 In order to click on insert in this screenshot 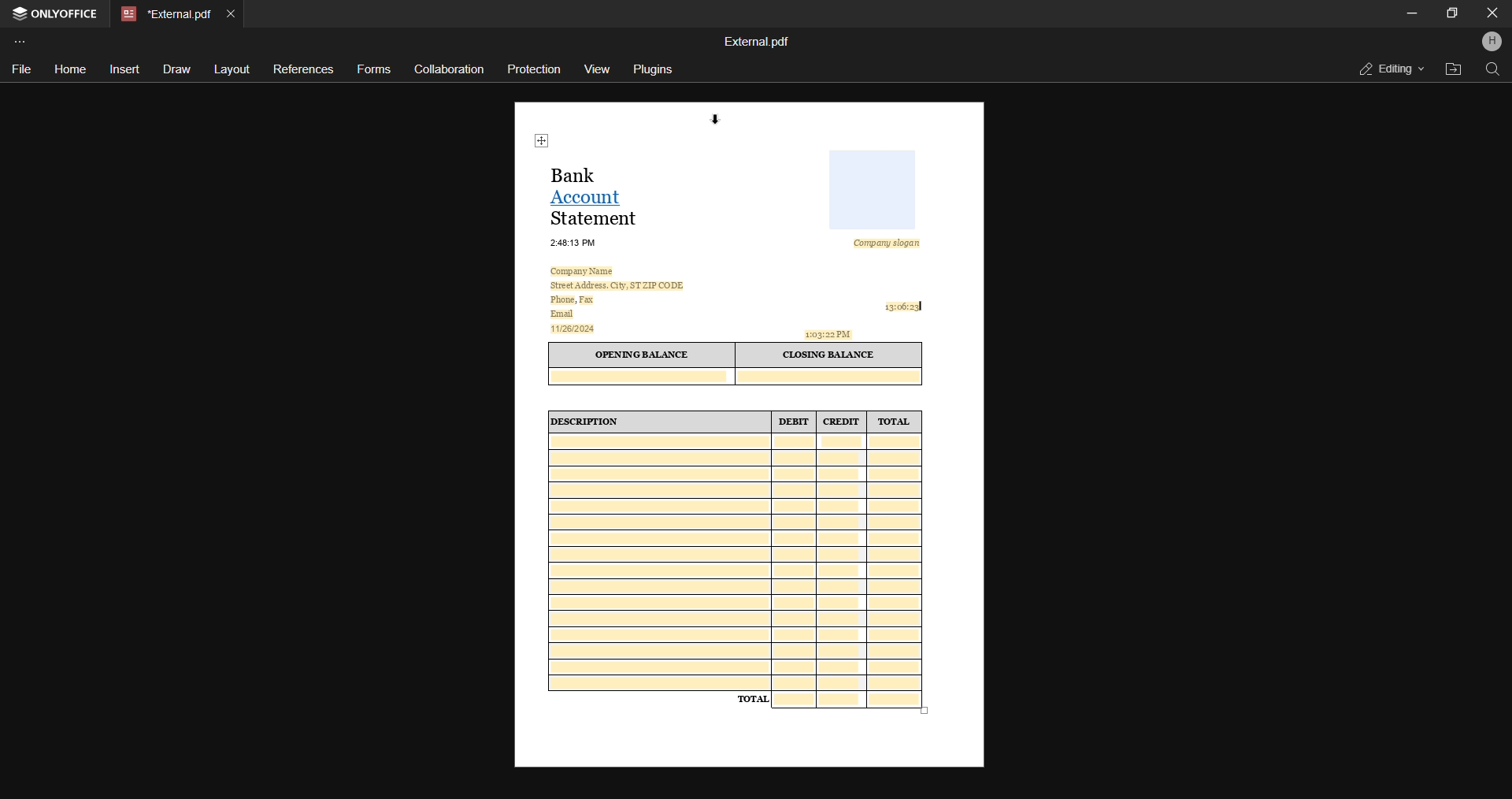, I will do `click(124, 68)`.